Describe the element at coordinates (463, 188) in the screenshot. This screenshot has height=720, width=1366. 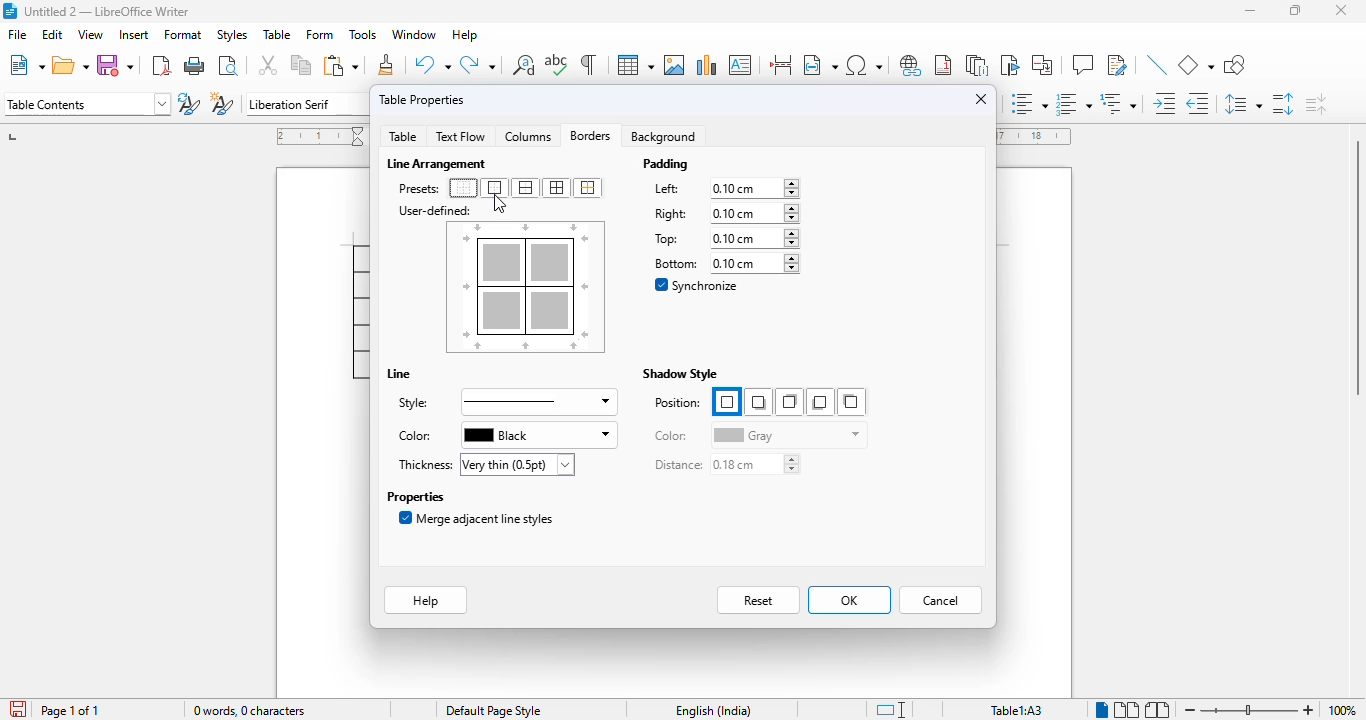
I see `no borders` at that location.